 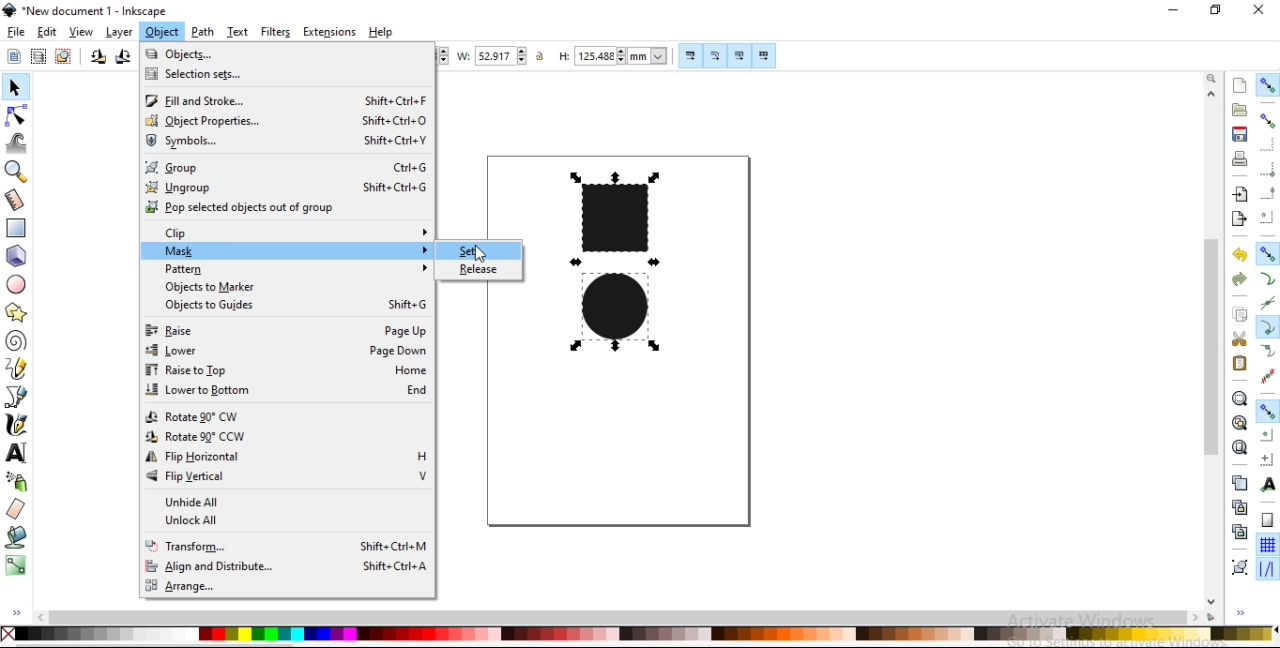 I want to click on mask, so click(x=298, y=254).